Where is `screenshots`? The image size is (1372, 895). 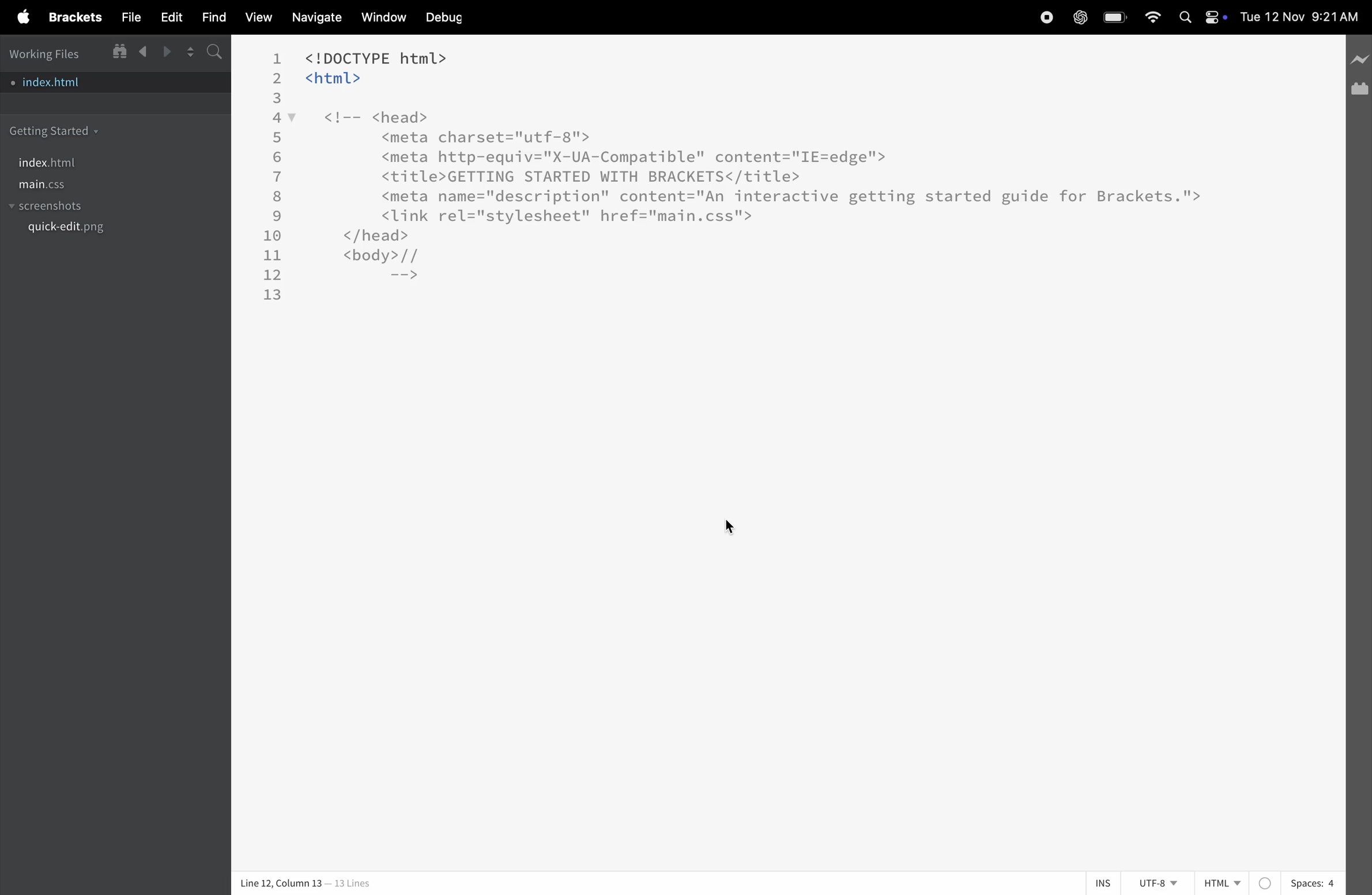 screenshots is located at coordinates (62, 205).